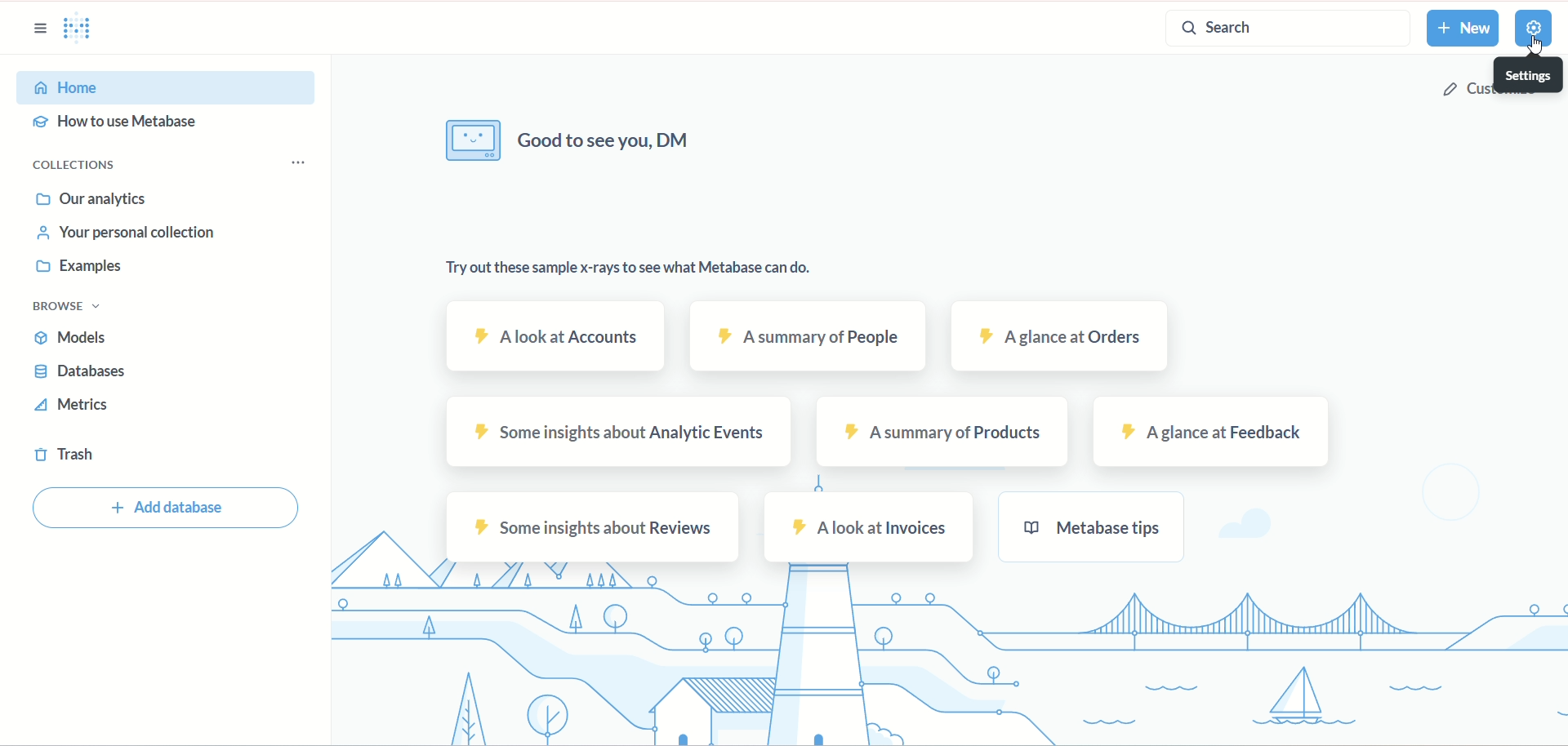  Describe the element at coordinates (1285, 30) in the screenshot. I see `search` at that location.